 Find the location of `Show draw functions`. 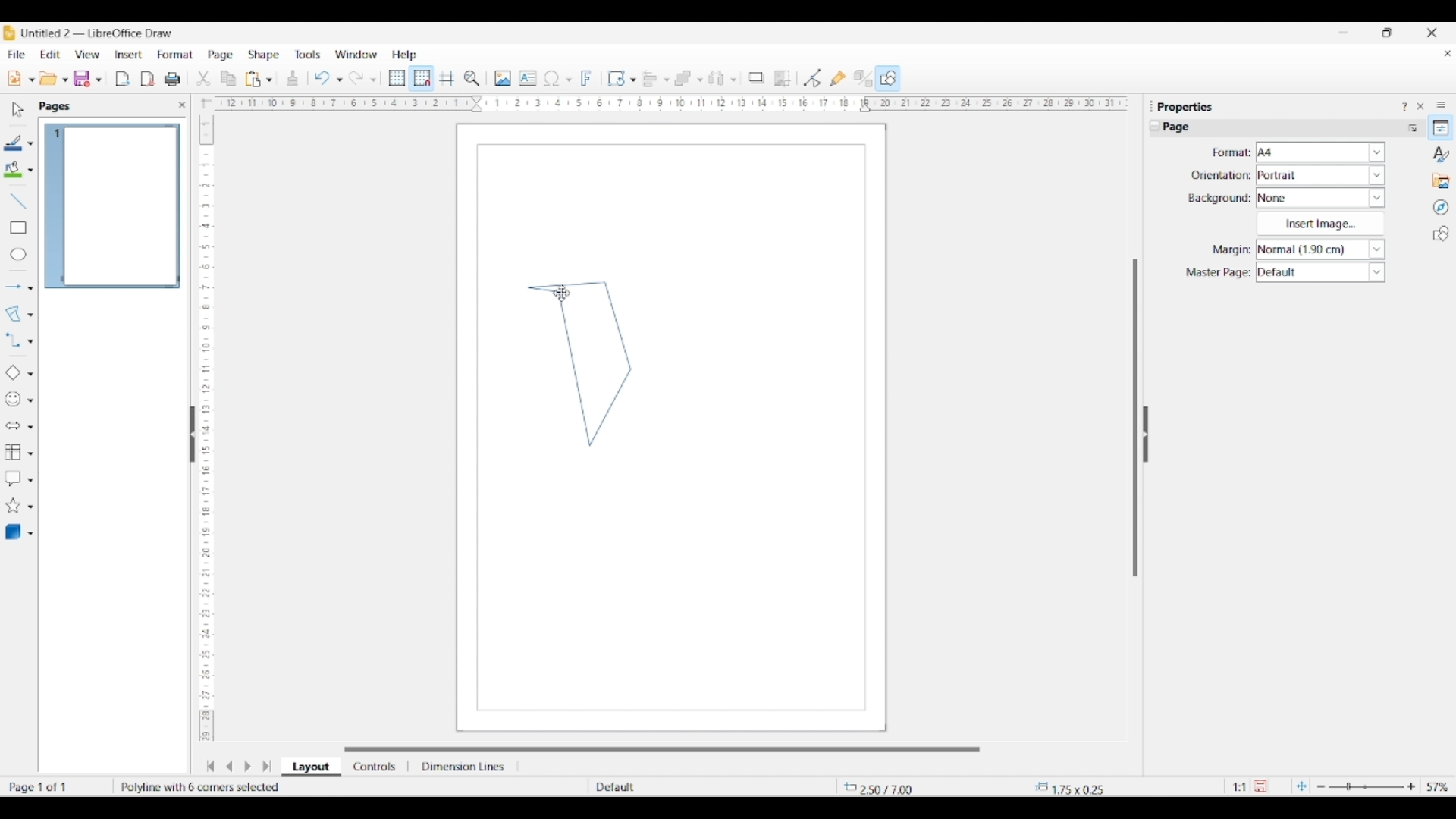

Show draw functions is located at coordinates (888, 77).